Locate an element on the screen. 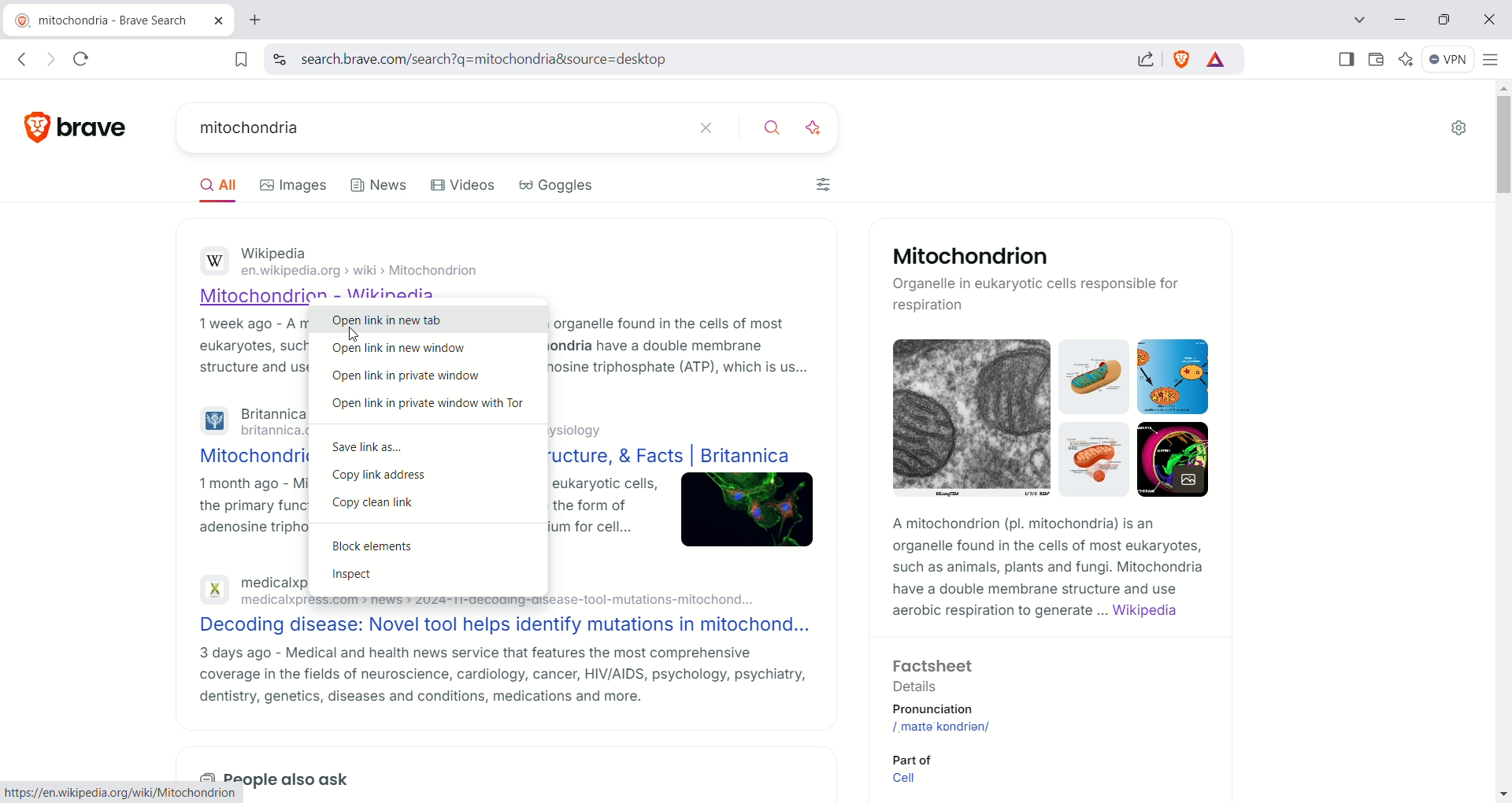 The width and height of the screenshot is (1512, 803). reload is located at coordinates (83, 58).